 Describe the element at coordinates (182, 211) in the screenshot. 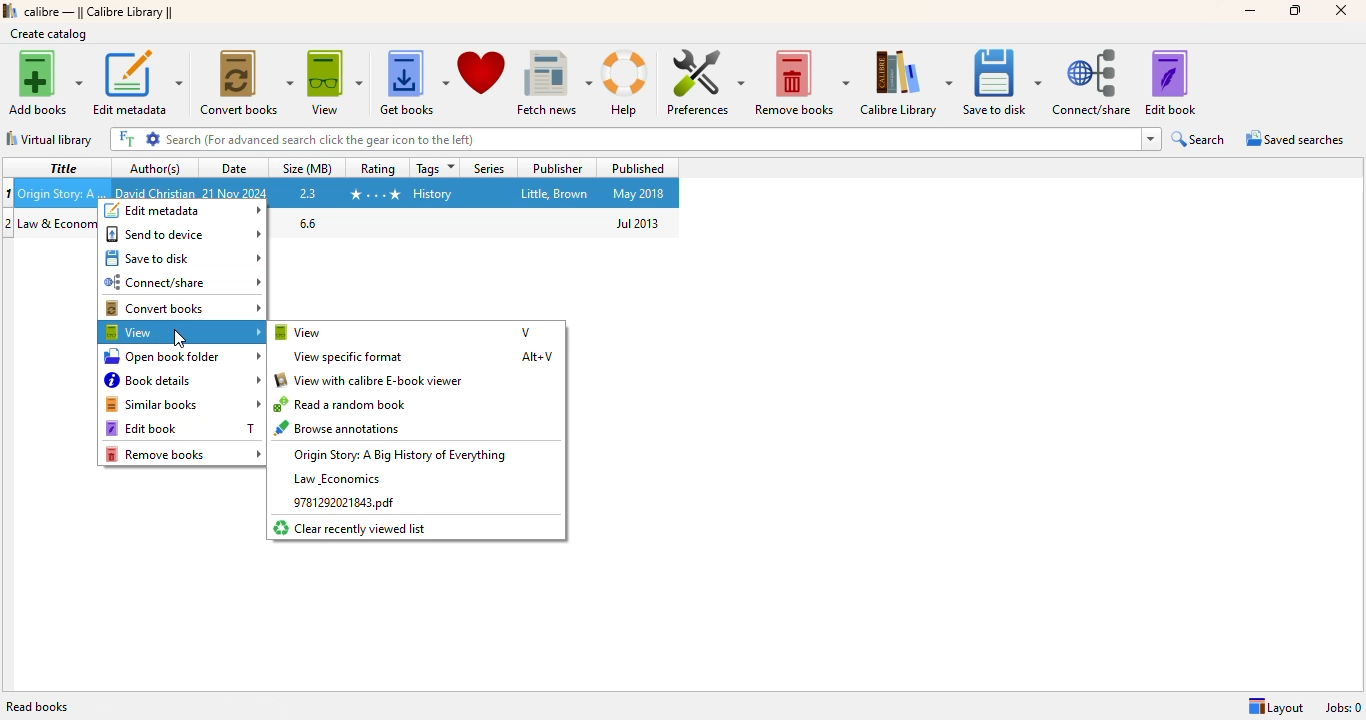

I see `edit metadata` at that location.